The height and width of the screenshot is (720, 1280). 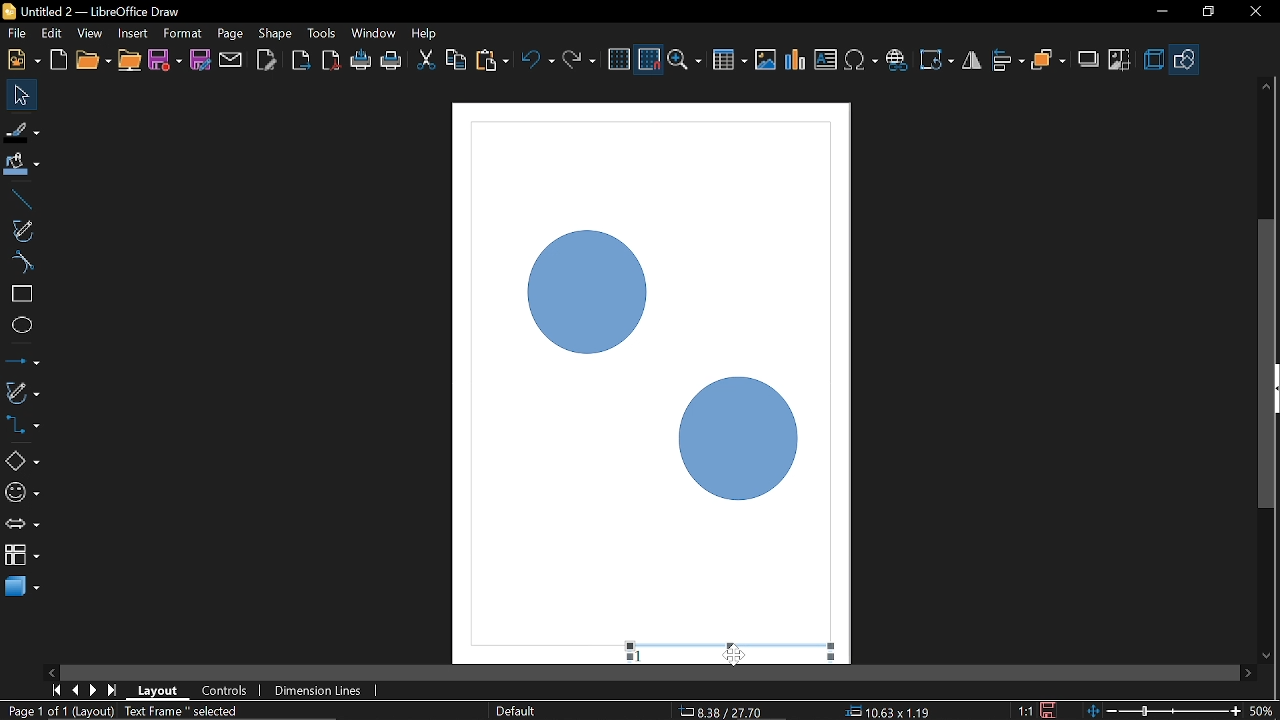 I want to click on Shape, so click(x=276, y=33).